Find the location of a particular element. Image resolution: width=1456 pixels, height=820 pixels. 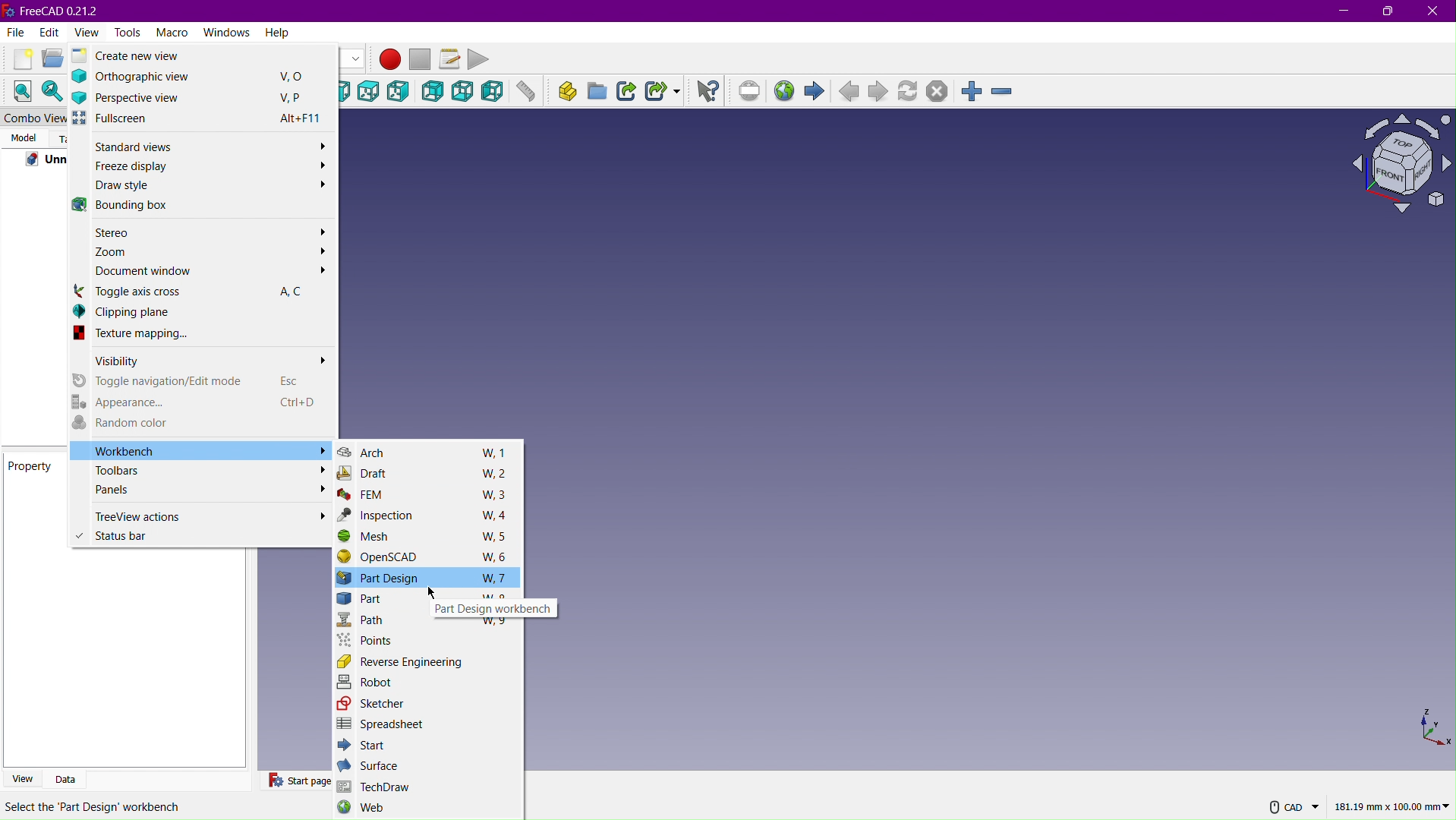

What's this? is located at coordinates (707, 93).